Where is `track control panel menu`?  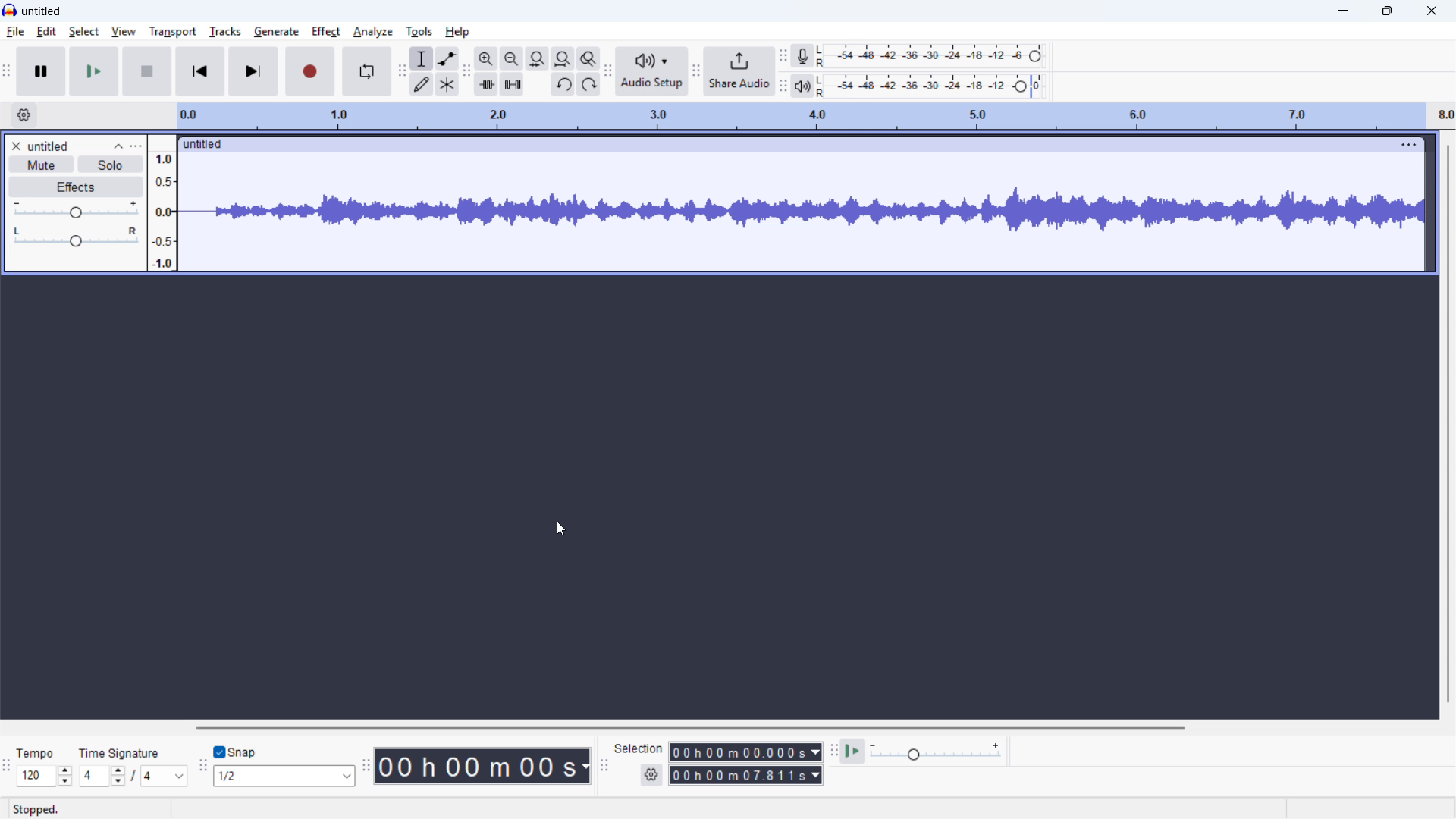 track control panel menu is located at coordinates (136, 146).